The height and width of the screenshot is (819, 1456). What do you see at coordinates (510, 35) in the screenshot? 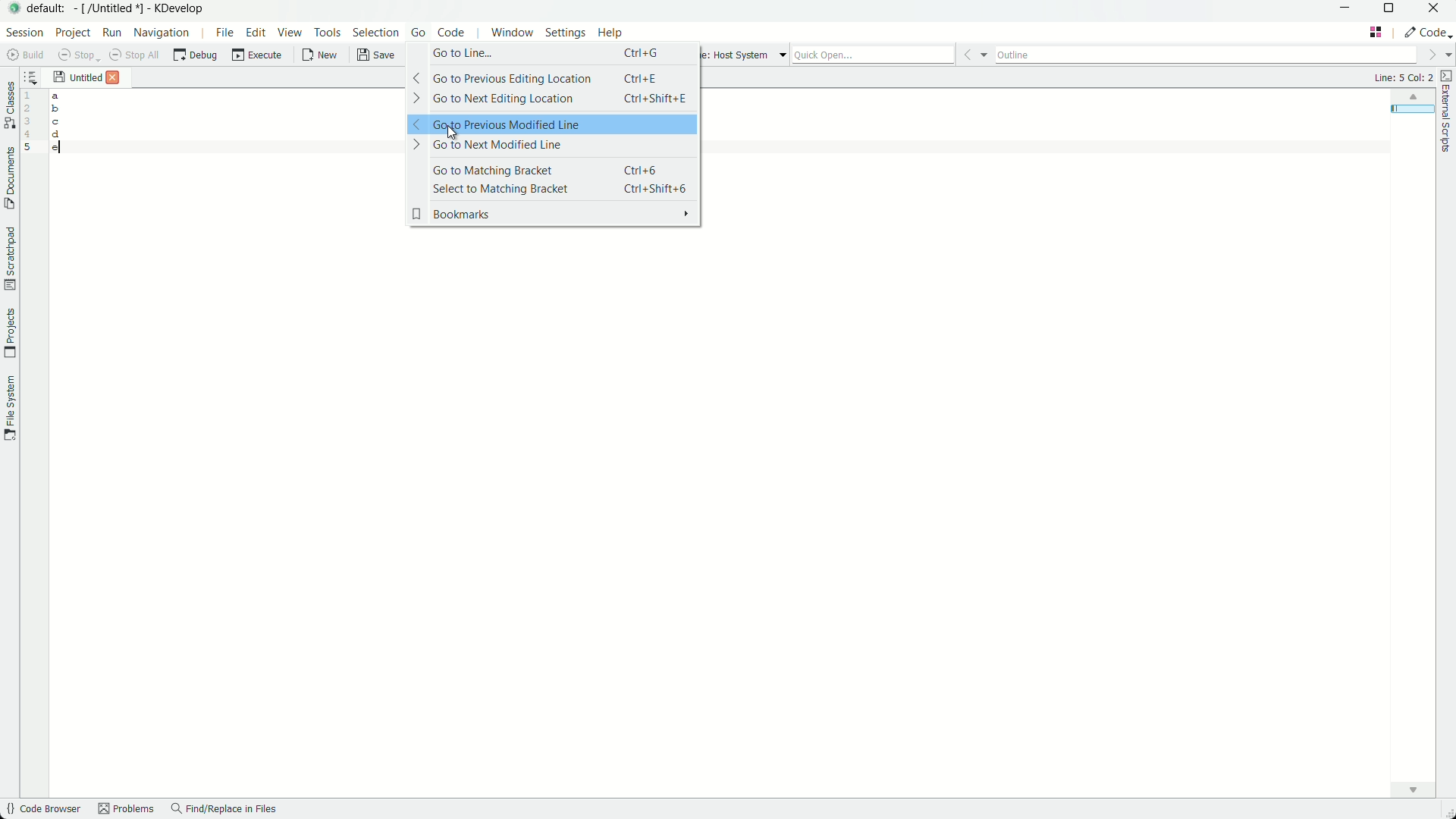
I see `windows` at bounding box center [510, 35].